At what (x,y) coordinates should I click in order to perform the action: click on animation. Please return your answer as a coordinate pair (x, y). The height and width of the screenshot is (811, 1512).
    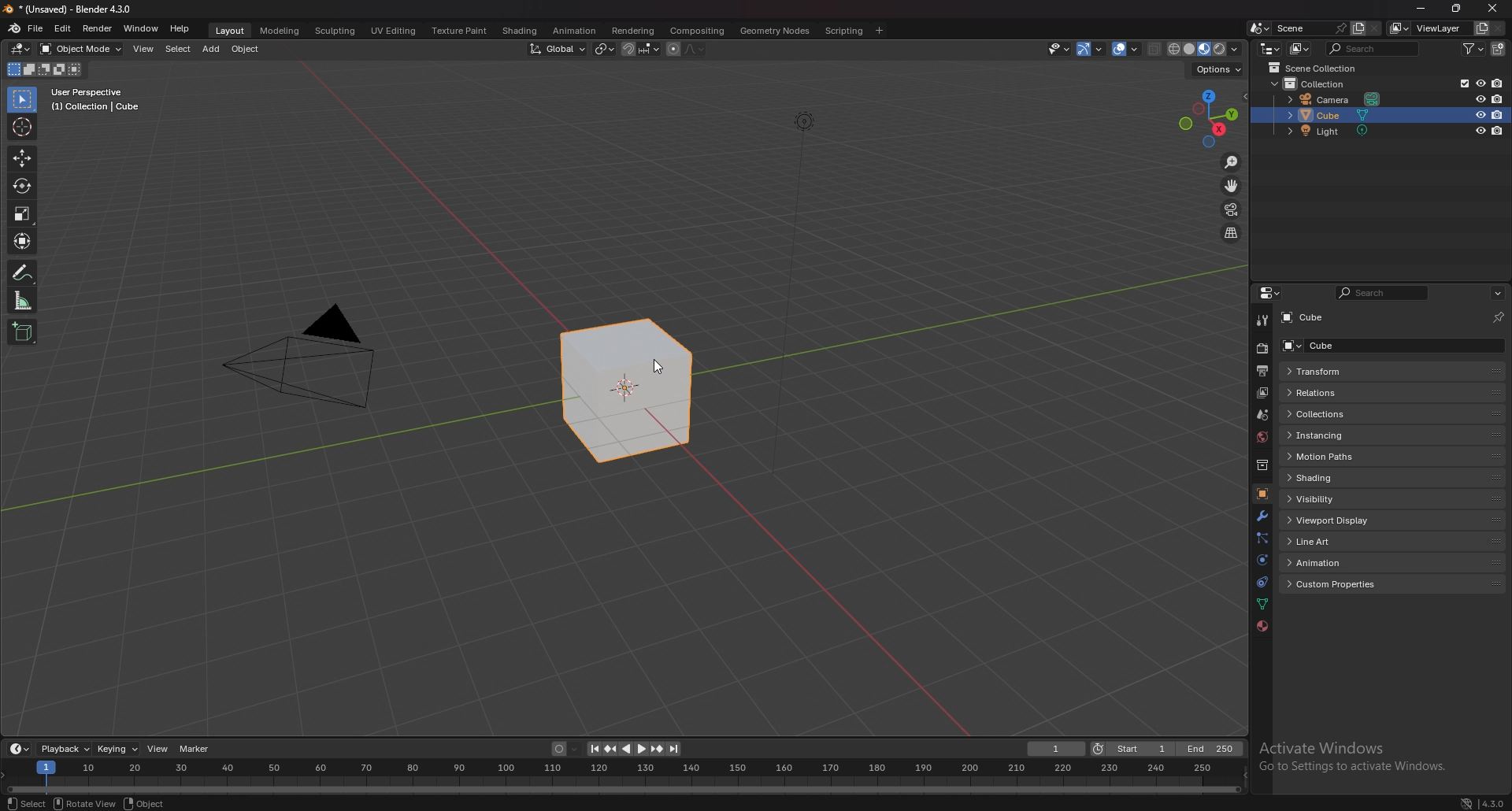
    Looking at the image, I should click on (1335, 562).